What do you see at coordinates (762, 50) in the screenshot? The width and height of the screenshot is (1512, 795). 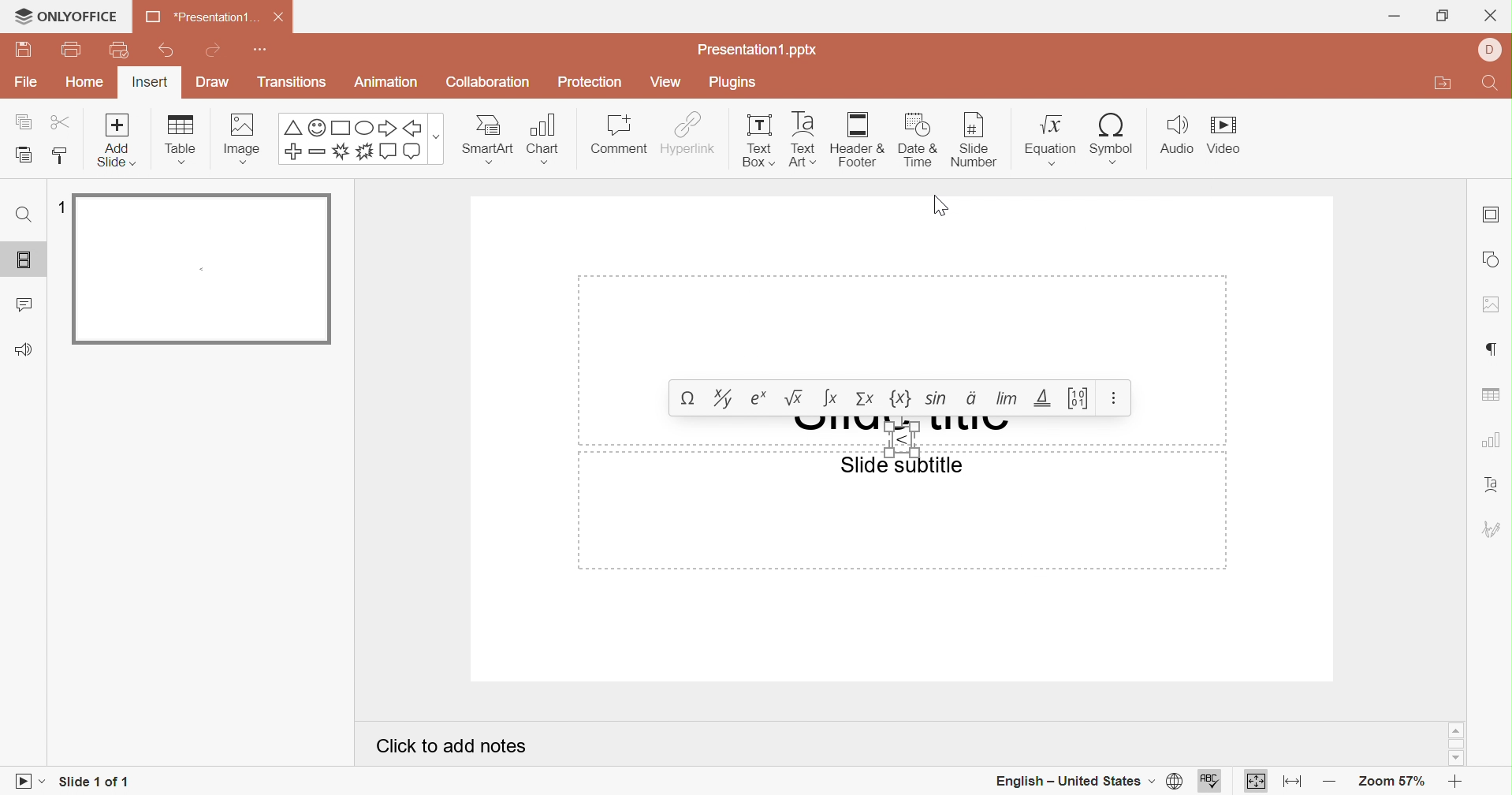 I see `Presentation.pptx` at bounding box center [762, 50].